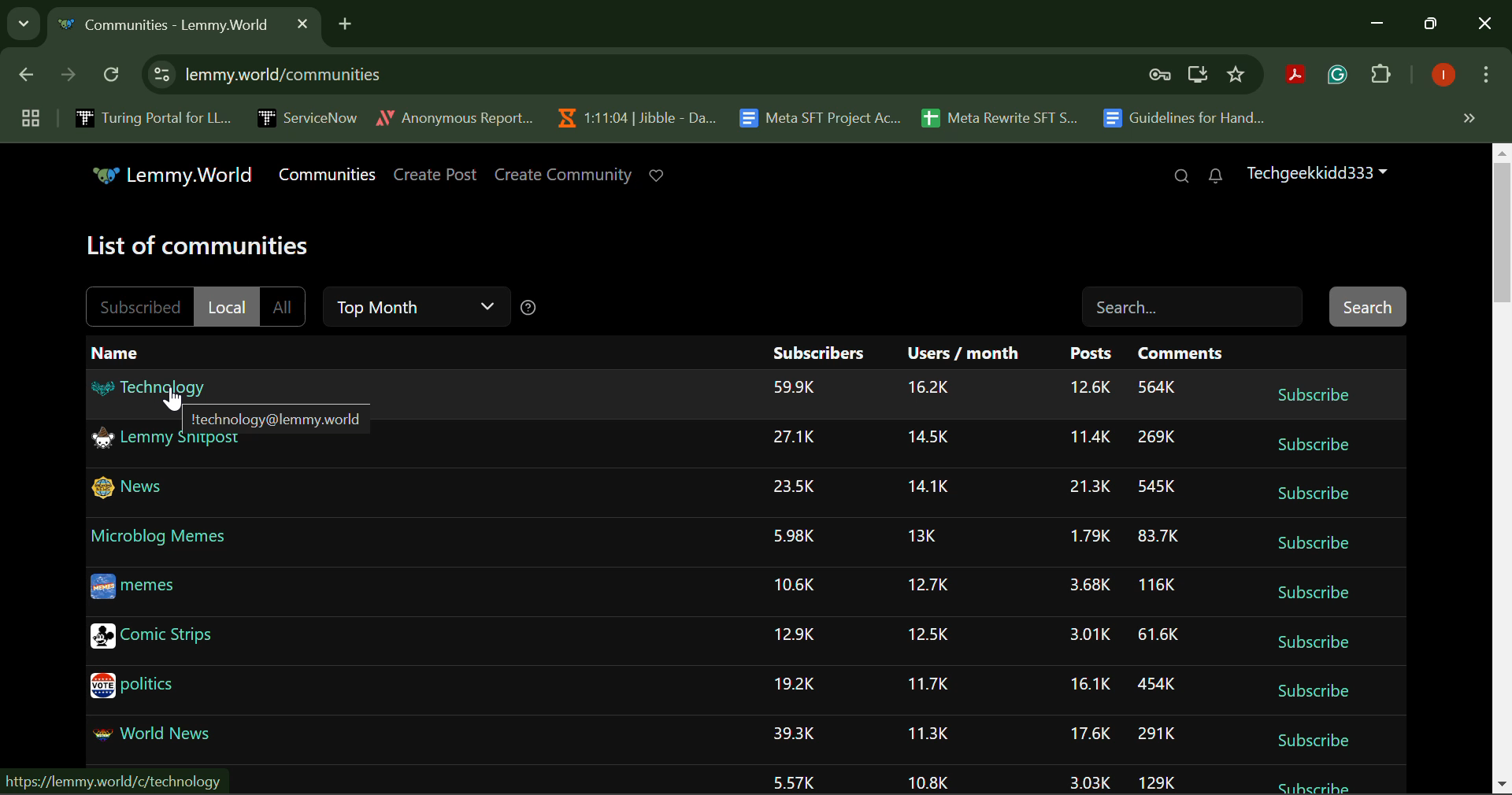  I want to click on Website Address: lemmy.world/communities, so click(641, 75).